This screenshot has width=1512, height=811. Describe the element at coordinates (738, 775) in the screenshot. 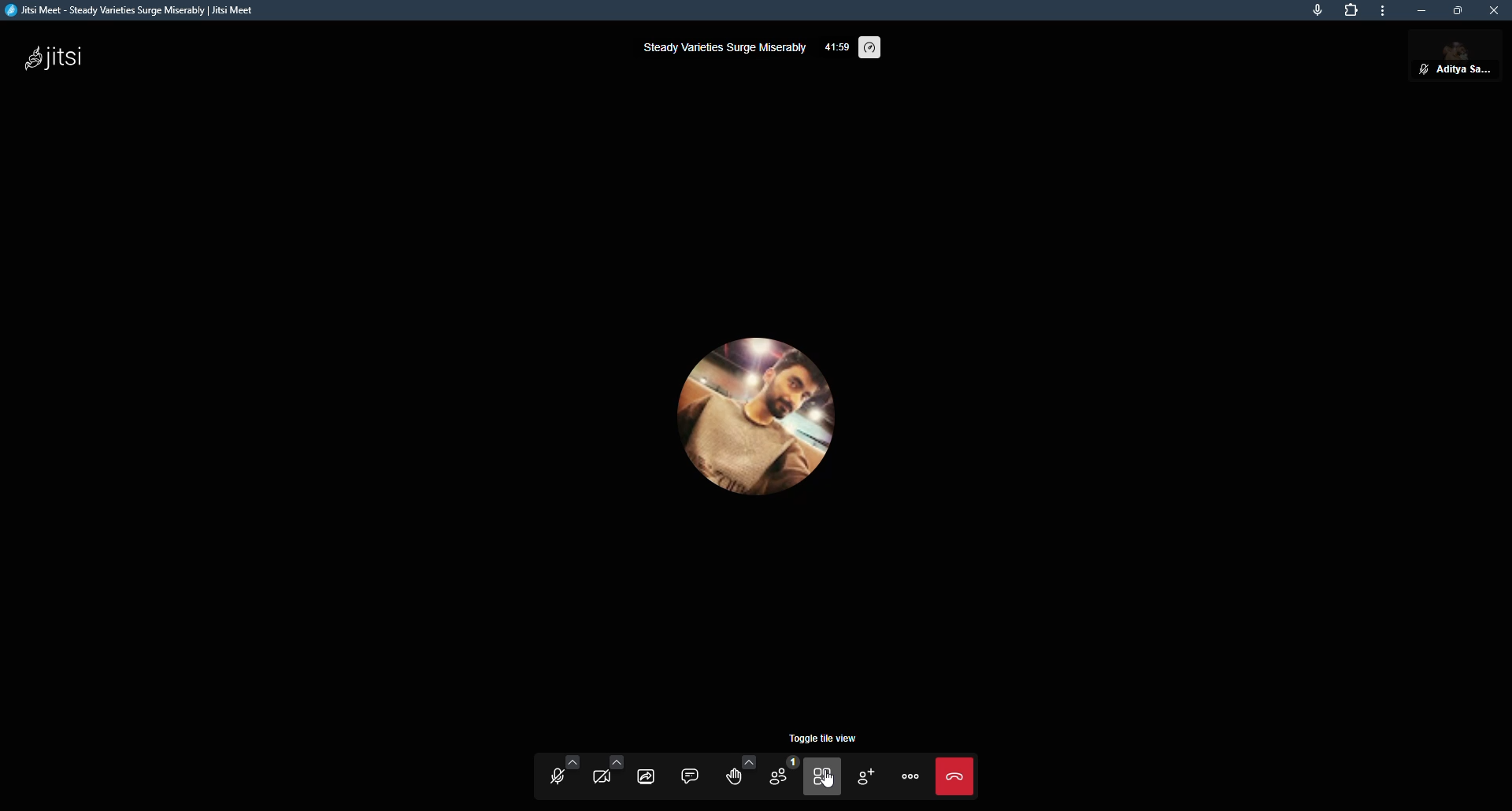

I see `raise hand` at that location.